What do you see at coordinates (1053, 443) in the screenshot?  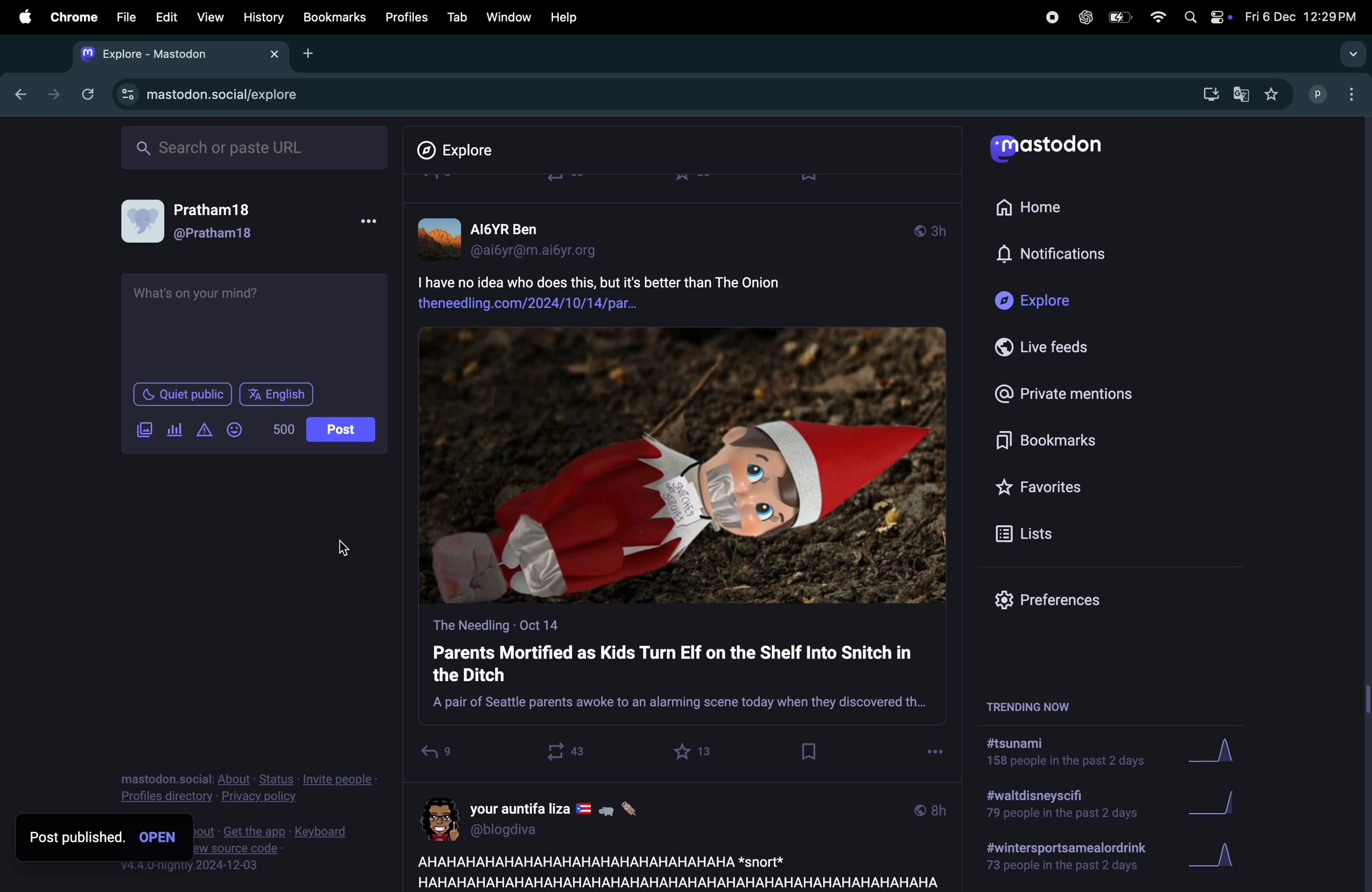 I see `Bookmarks` at bounding box center [1053, 443].